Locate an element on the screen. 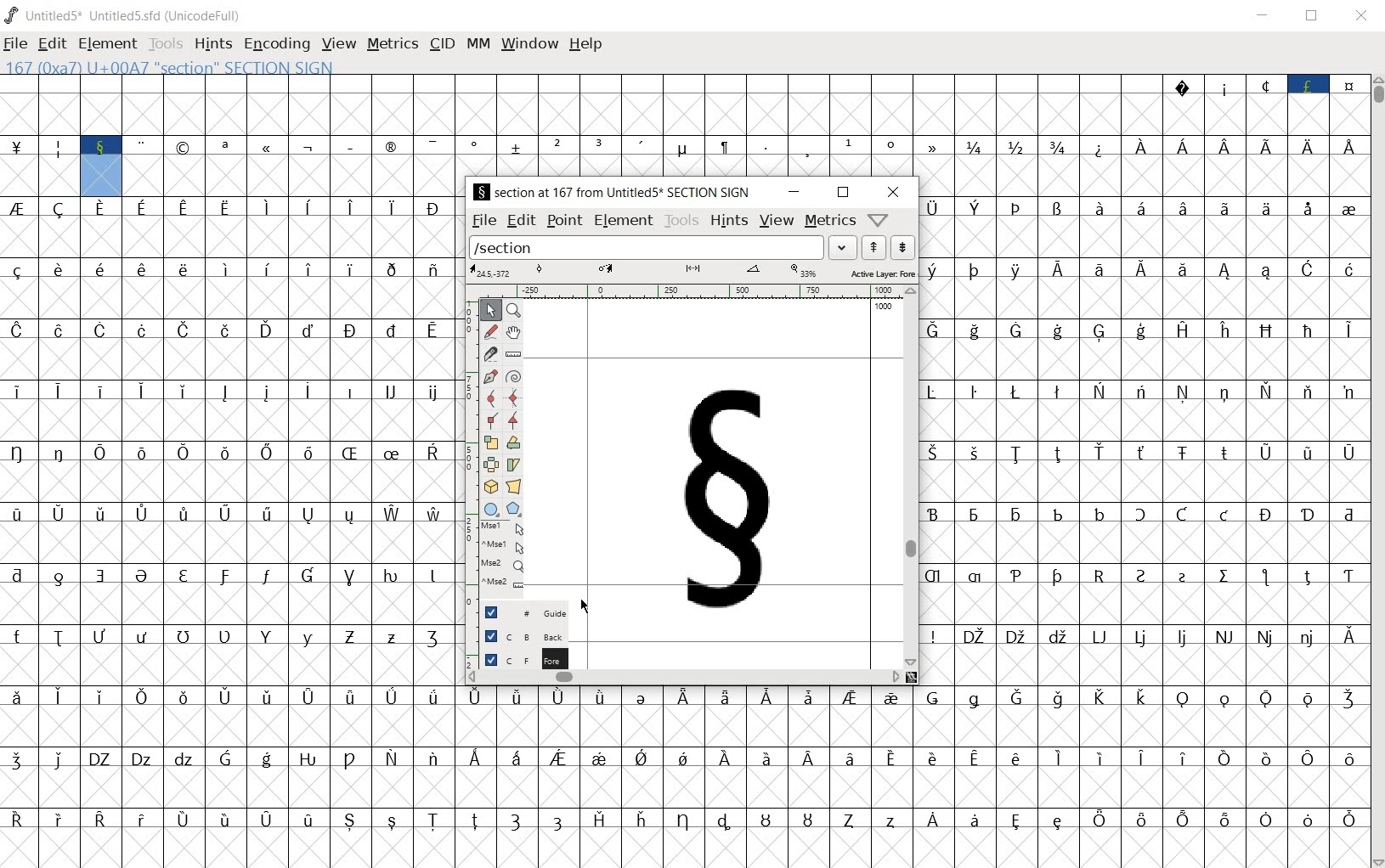  SCROLLBAR is located at coordinates (1377, 471).